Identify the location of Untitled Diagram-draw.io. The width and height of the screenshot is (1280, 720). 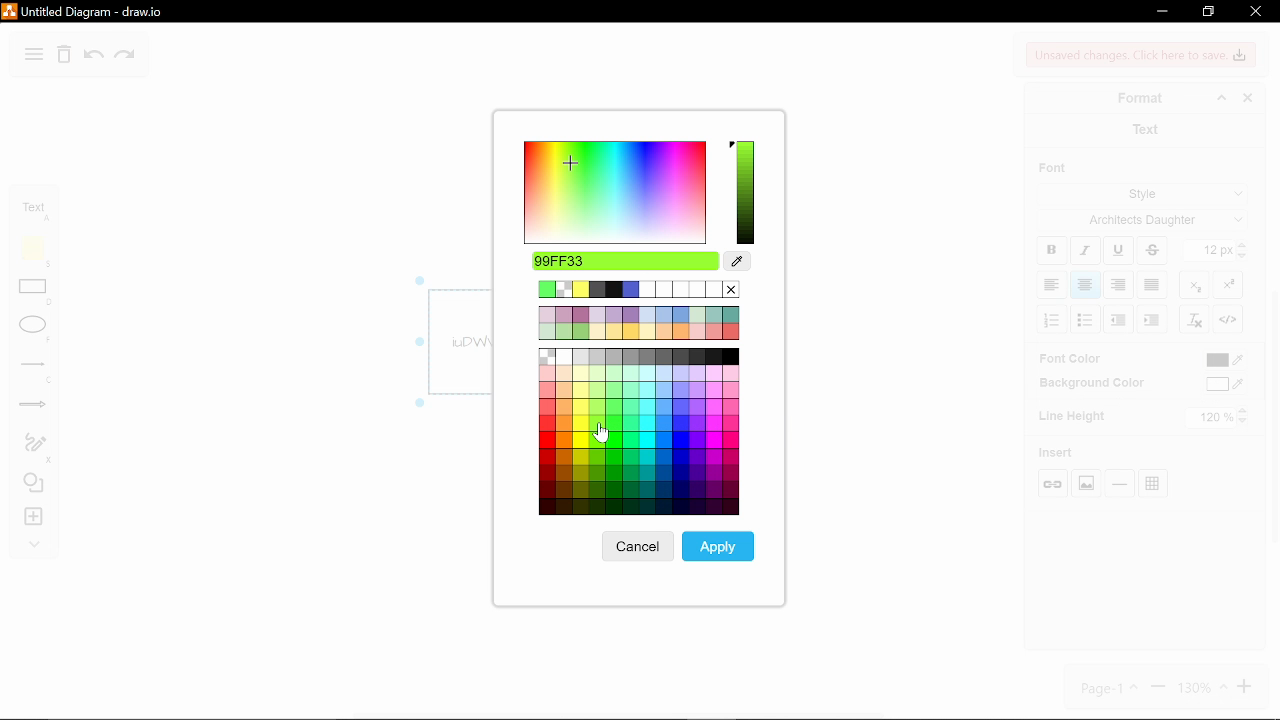
(86, 11).